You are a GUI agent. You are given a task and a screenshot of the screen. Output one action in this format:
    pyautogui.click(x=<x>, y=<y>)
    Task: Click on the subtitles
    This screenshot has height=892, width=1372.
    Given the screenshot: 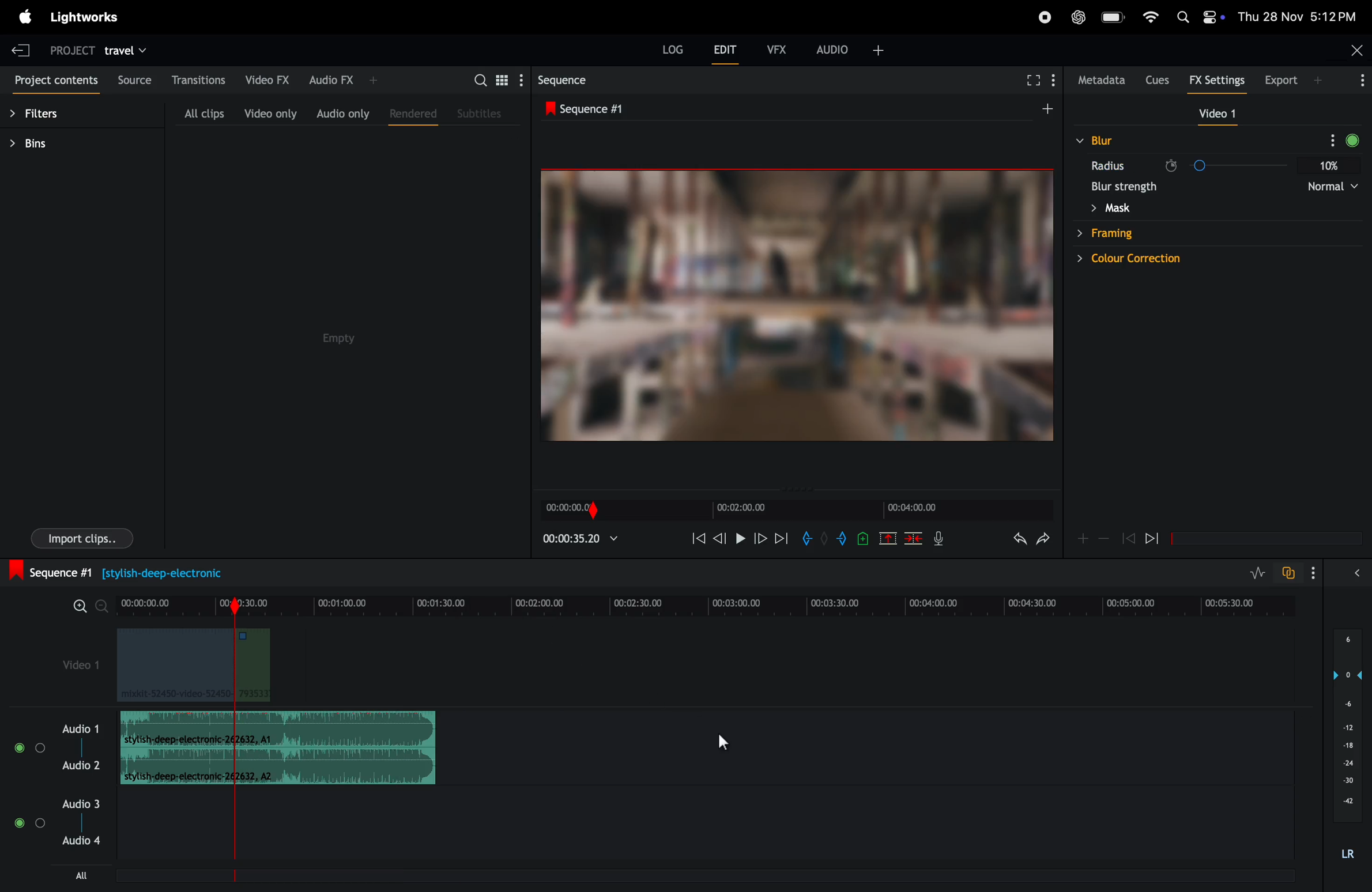 What is the action you would take?
    pyautogui.click(x=481, y=115)
    